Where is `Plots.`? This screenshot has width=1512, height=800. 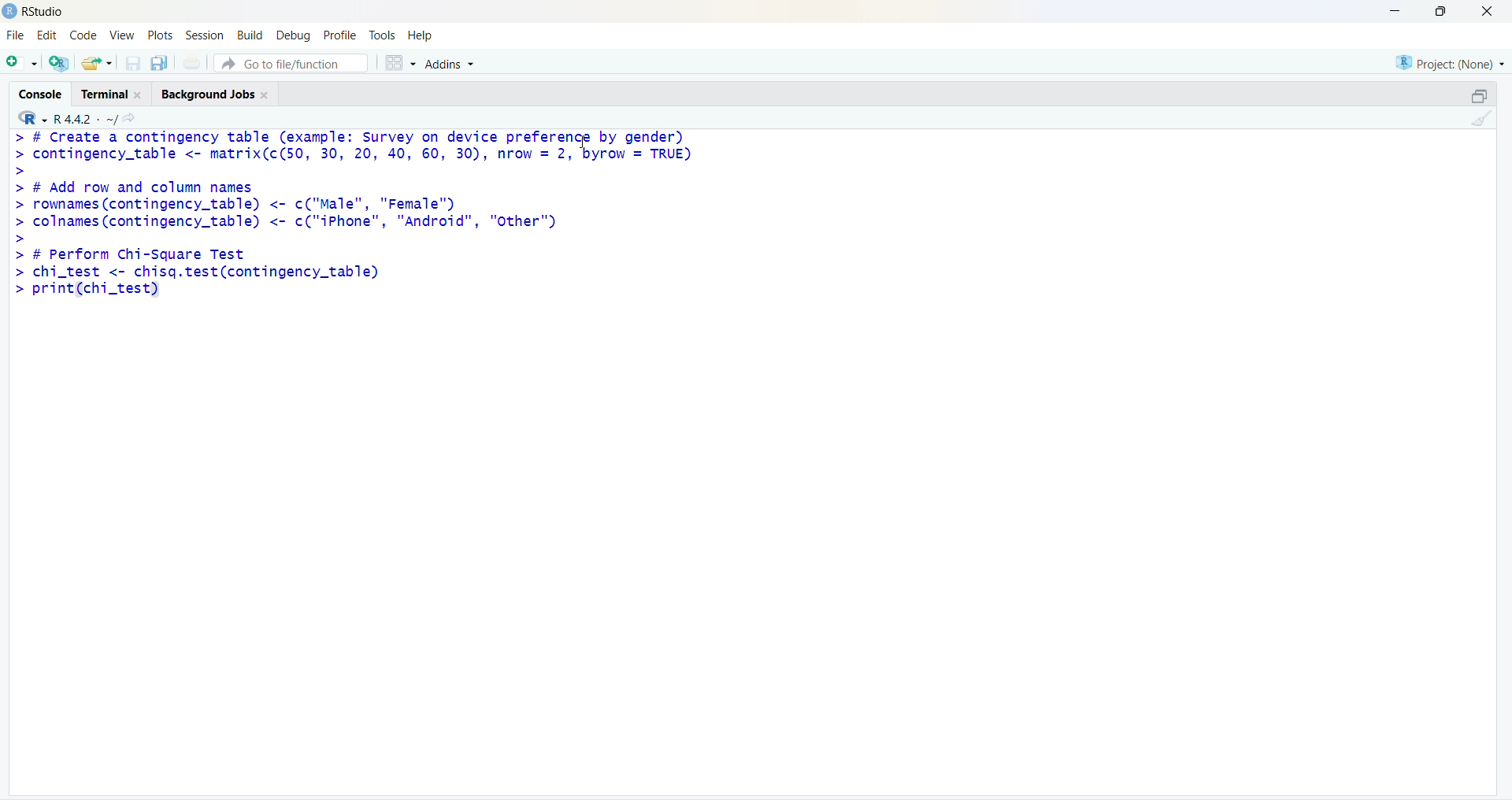
Plots. is located at coordinates (161, 35).